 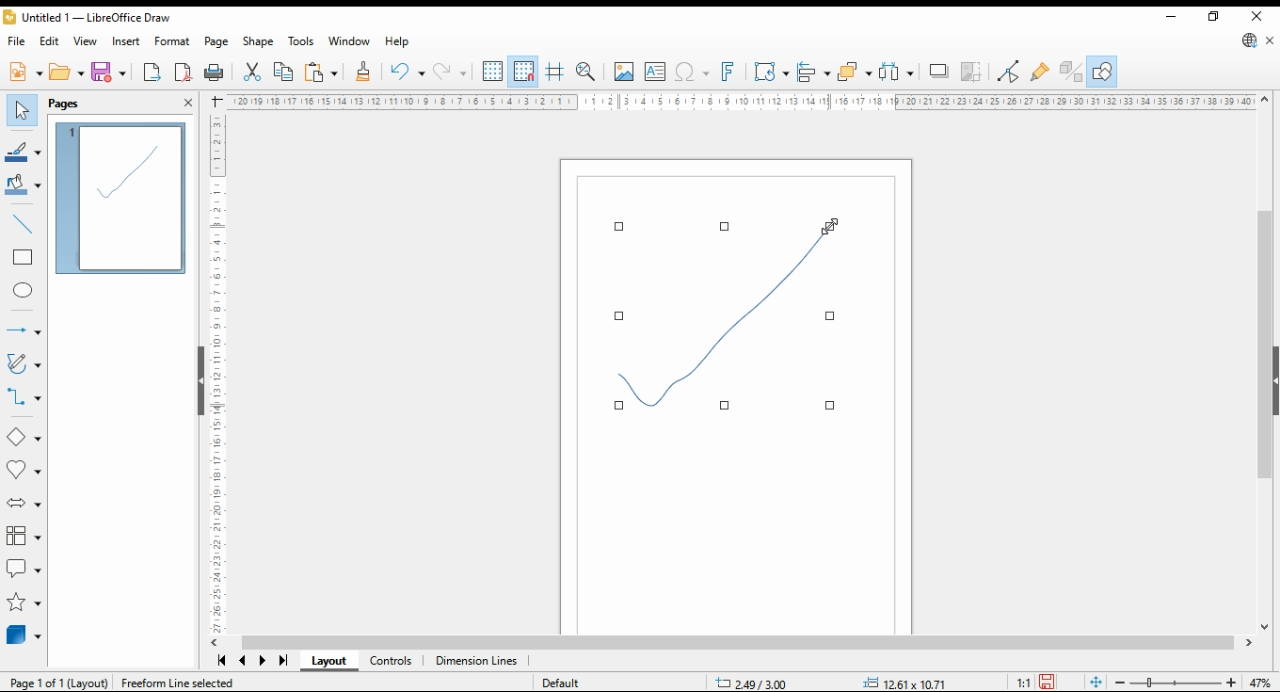 I want to click on open textbox, so click(x=656, y=72).